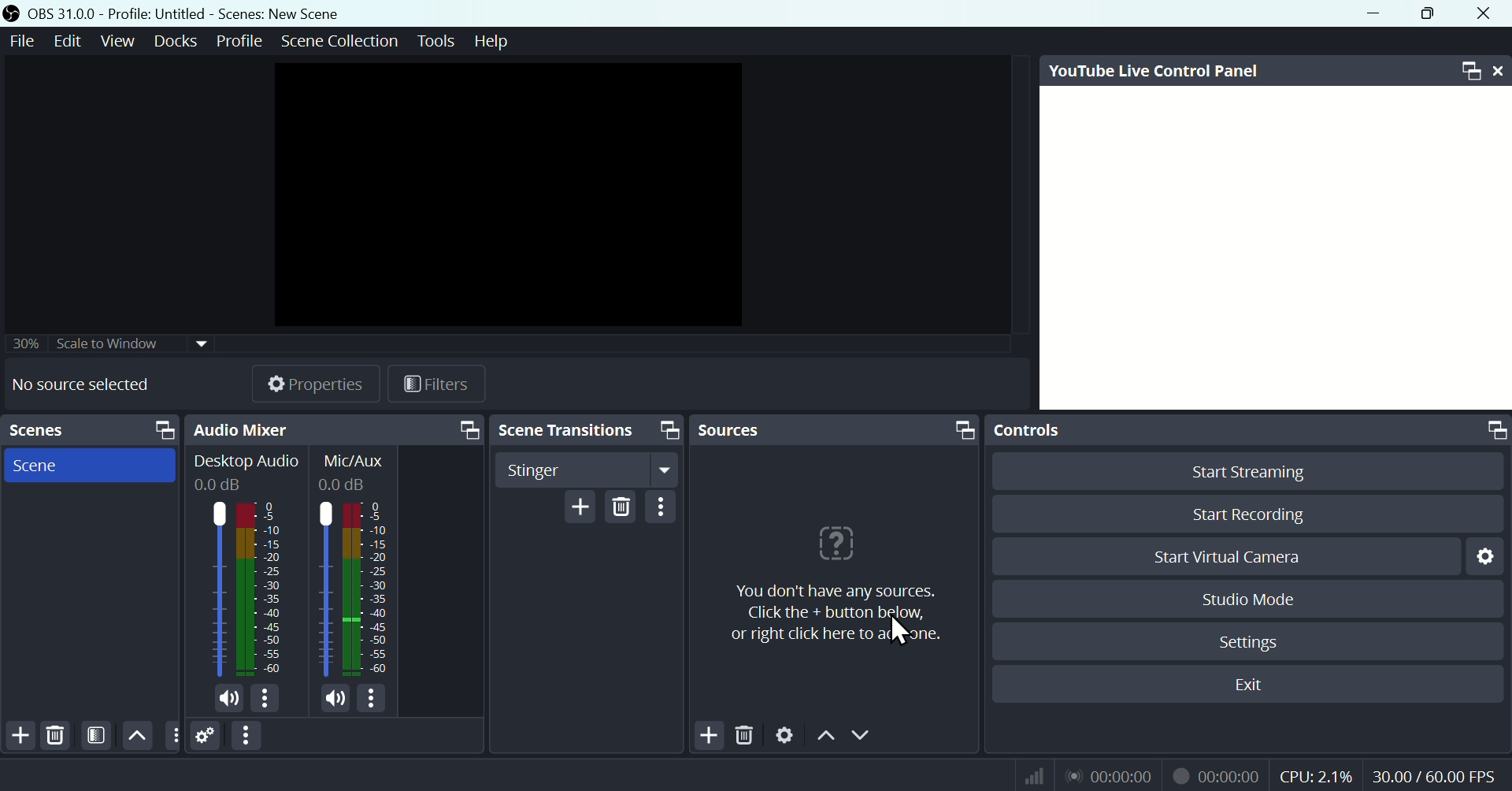 The image size is (1512, 791). What do you see at coordinates (439, 41) in the screenshot?
I see `Tools` at bounding box center [439, 41].